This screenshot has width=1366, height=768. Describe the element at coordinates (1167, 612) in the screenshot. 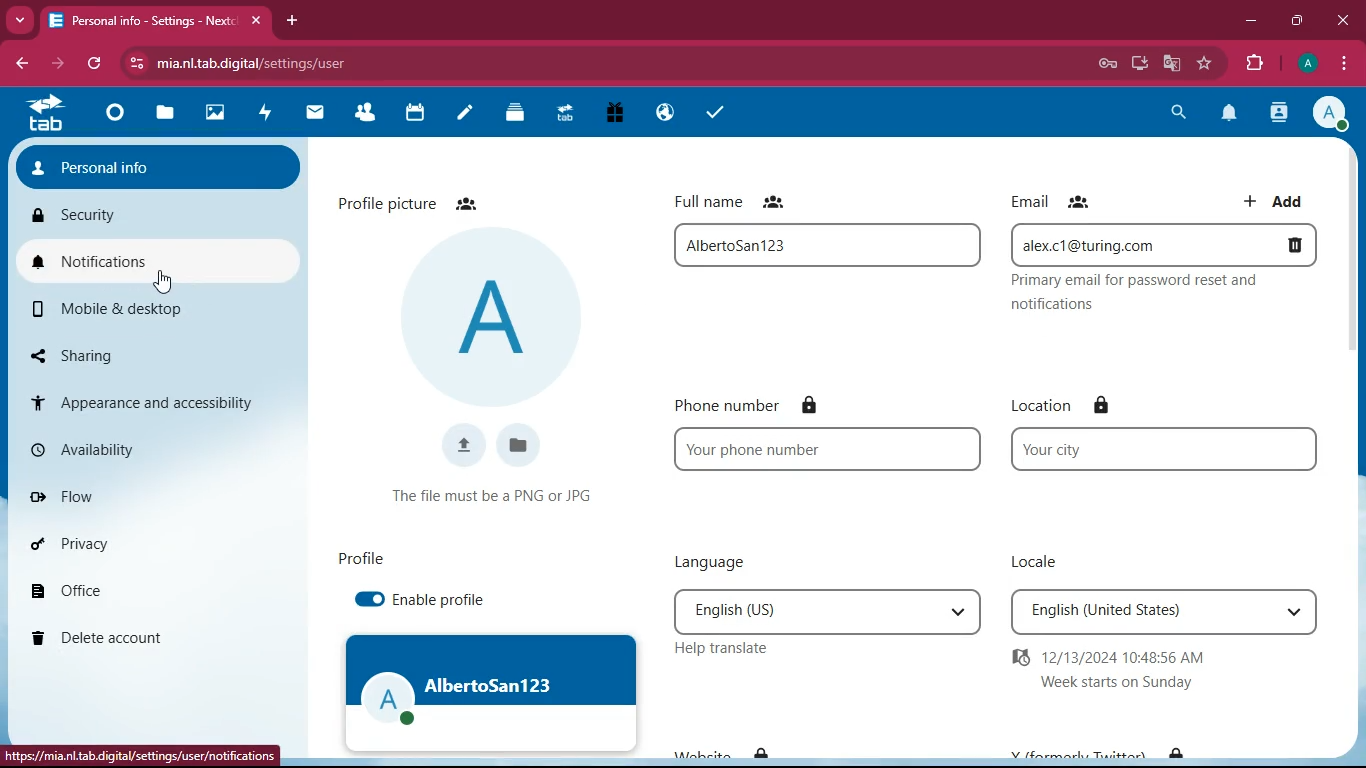

I see `English(United States)` at that location.